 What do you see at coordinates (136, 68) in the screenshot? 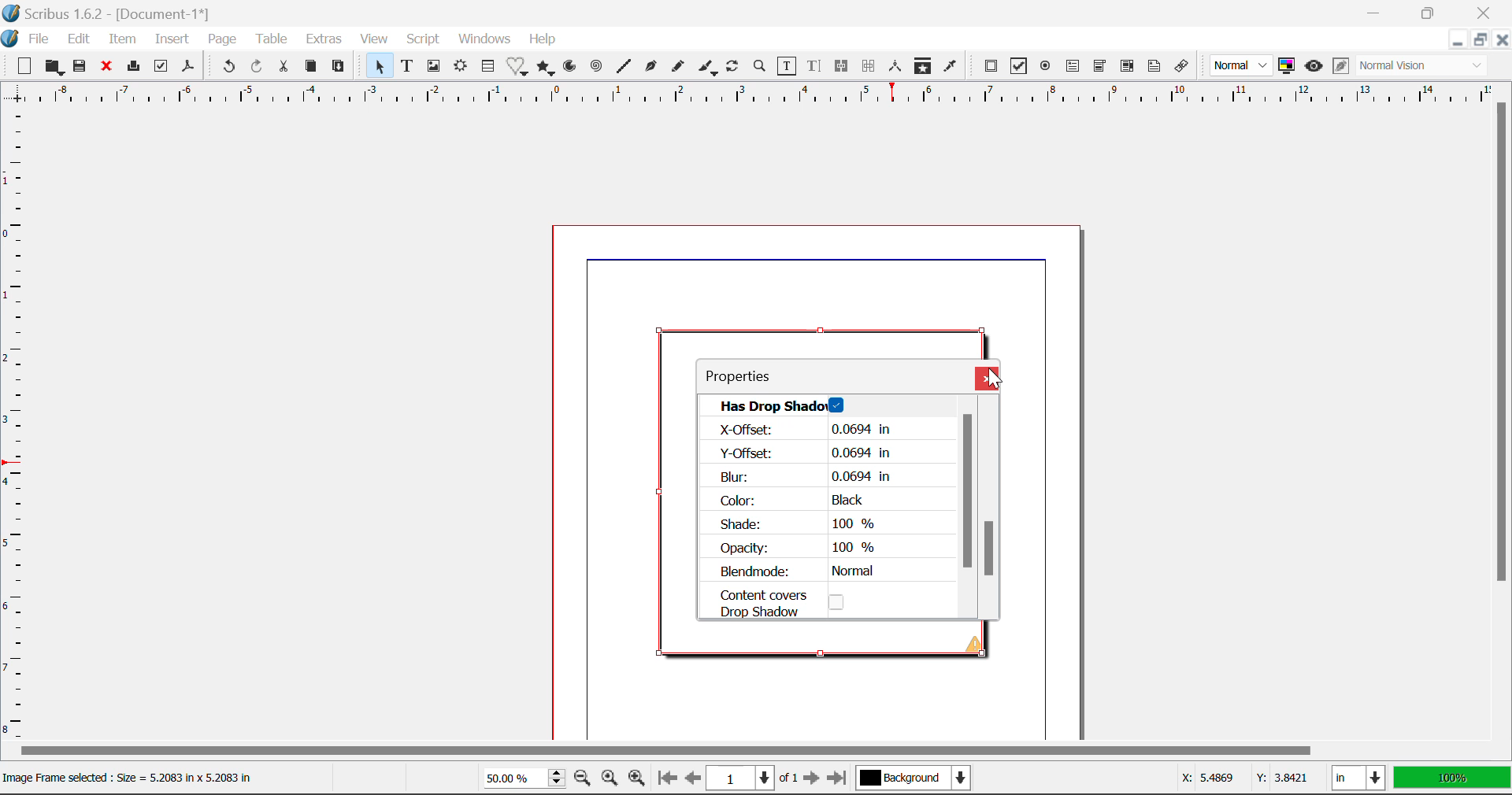
I see `Print` at bounding box center [136, 68].